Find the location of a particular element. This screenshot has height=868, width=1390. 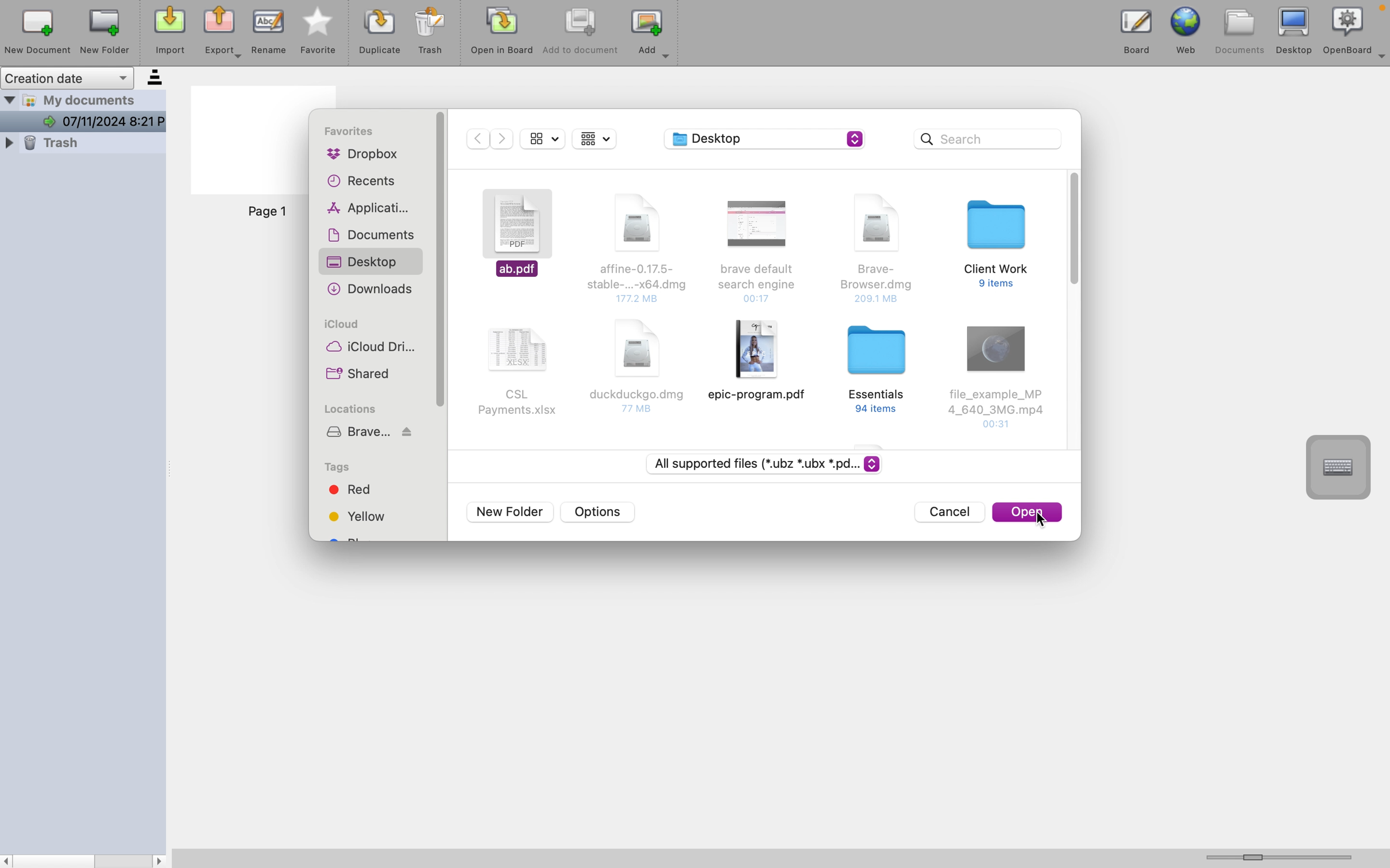

icloud drive is located at coordinates (367, 348).